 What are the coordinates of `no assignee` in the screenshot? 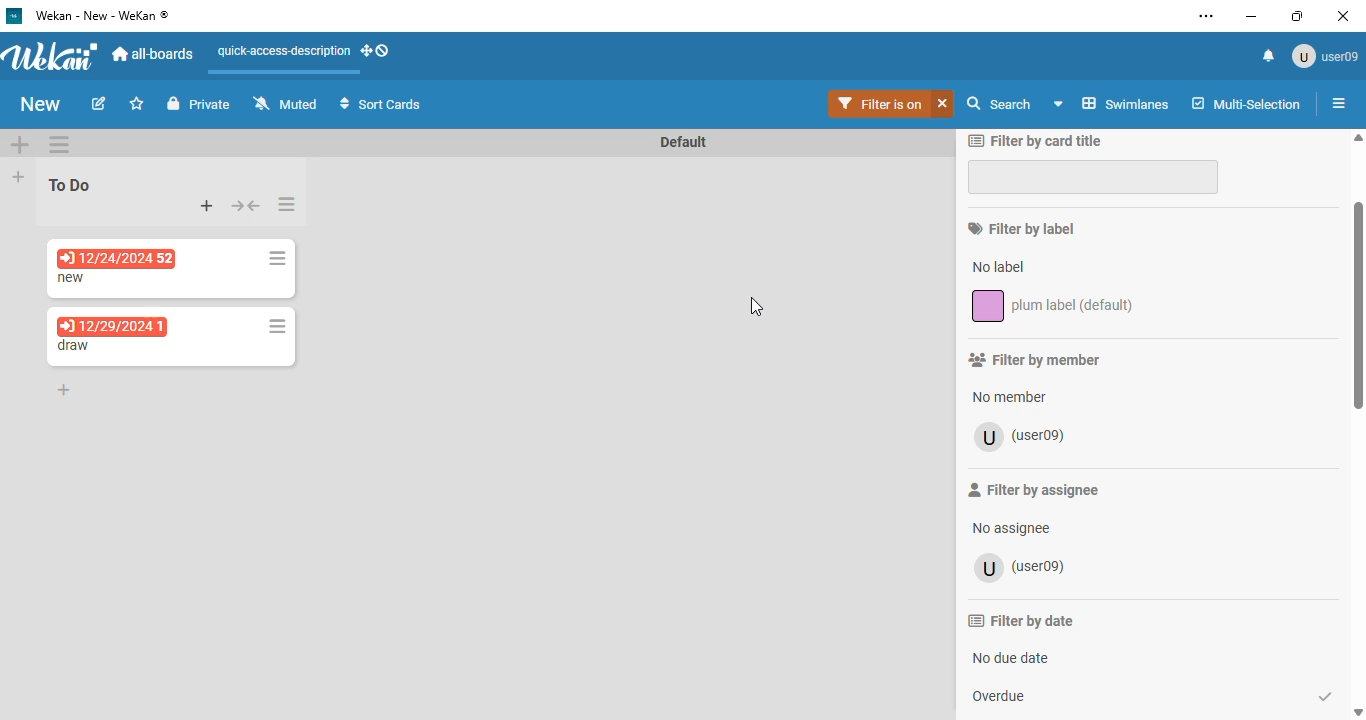 It's located at (1010, 529).